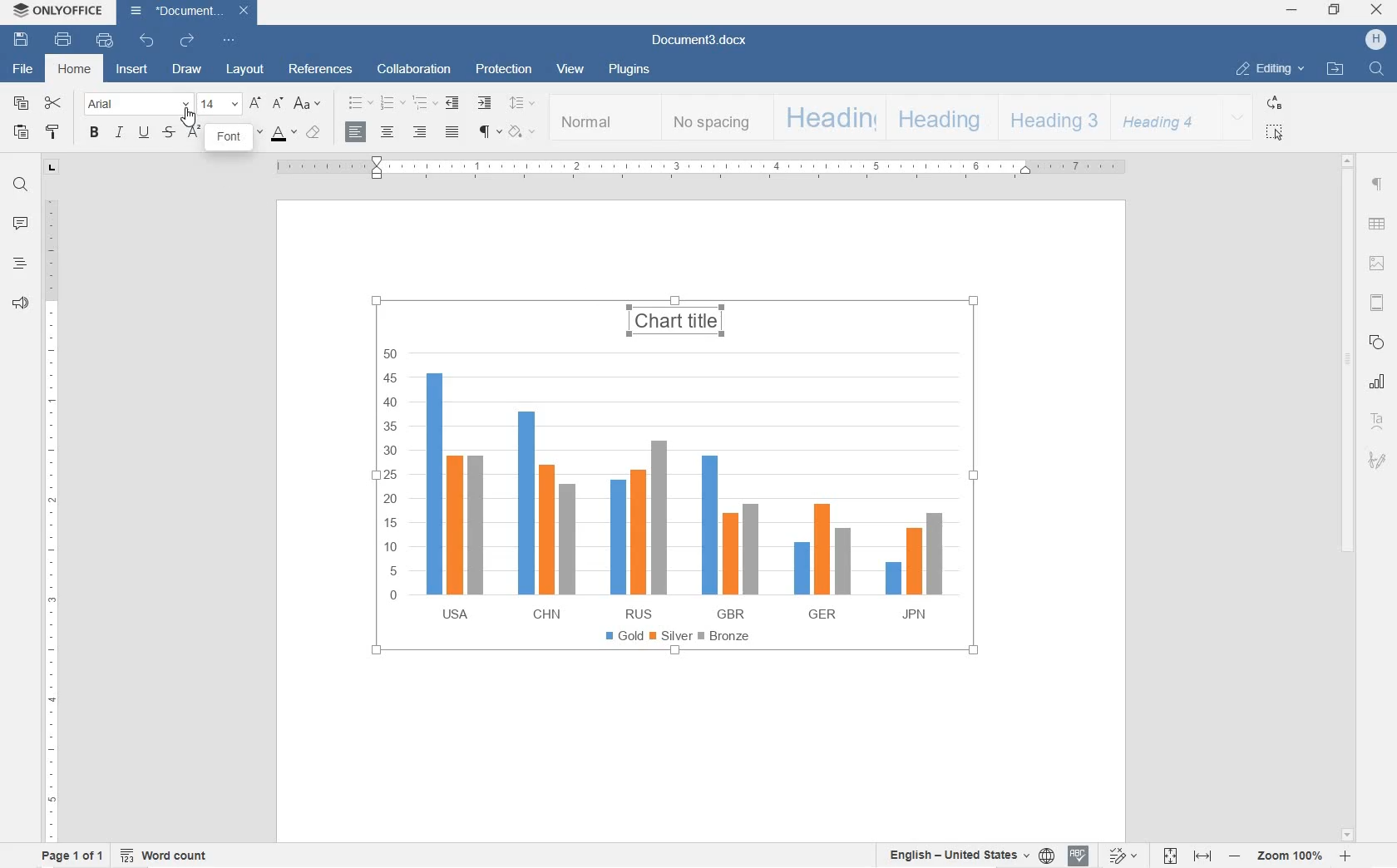 The image size is (1397, 868). Describe the element at coordinates (313, 133) in the screenshot. I see `CLEAR STYLE` at that location.